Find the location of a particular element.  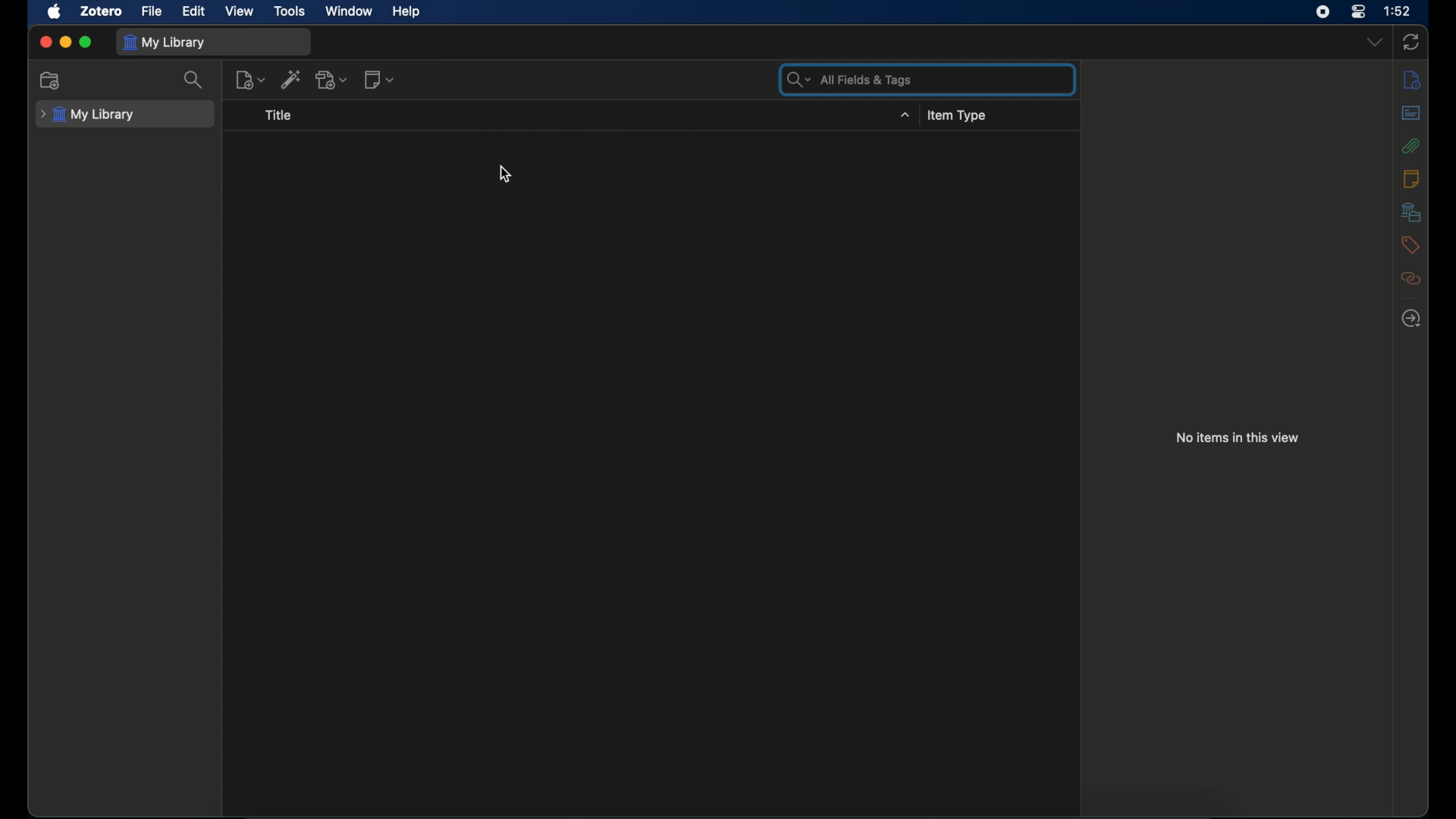

control center is located at coordinates (1359, 11).